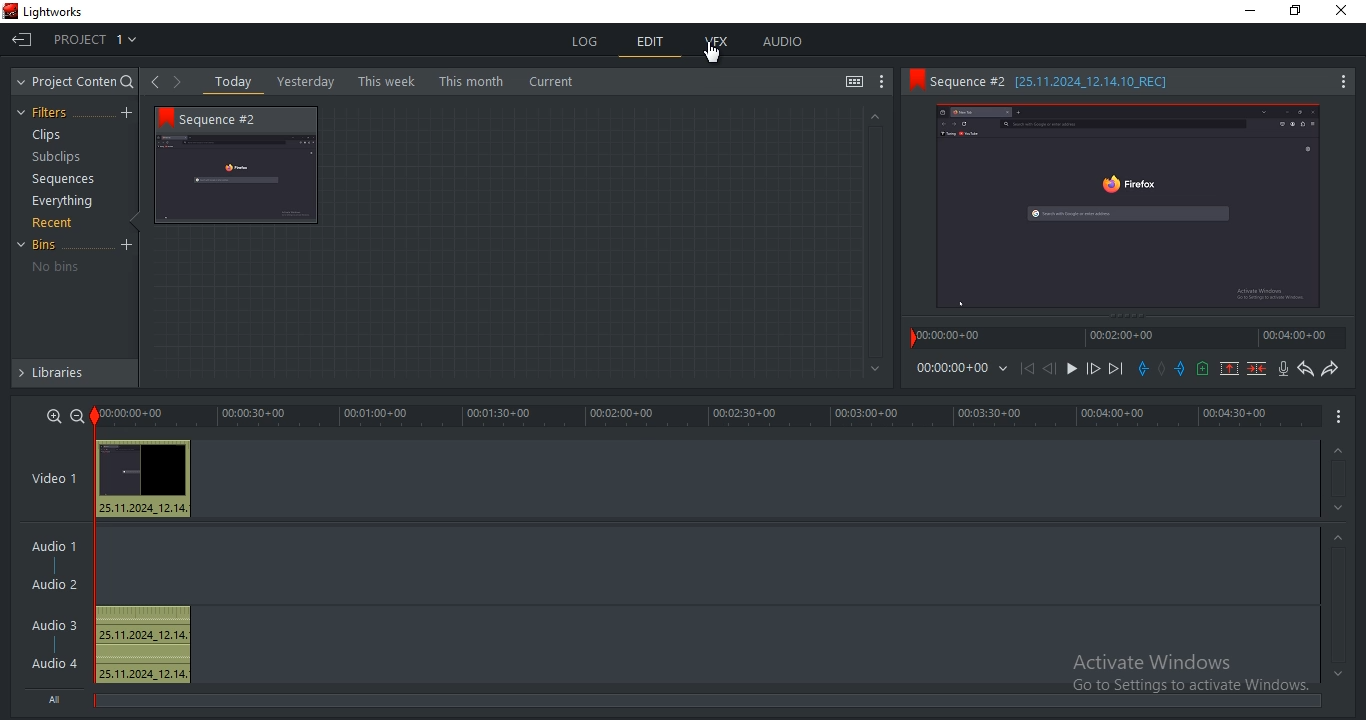 Image resolution: width=1366 pixels, height=720 pixels. I want to click on delete marked section, so click(1257, 368).